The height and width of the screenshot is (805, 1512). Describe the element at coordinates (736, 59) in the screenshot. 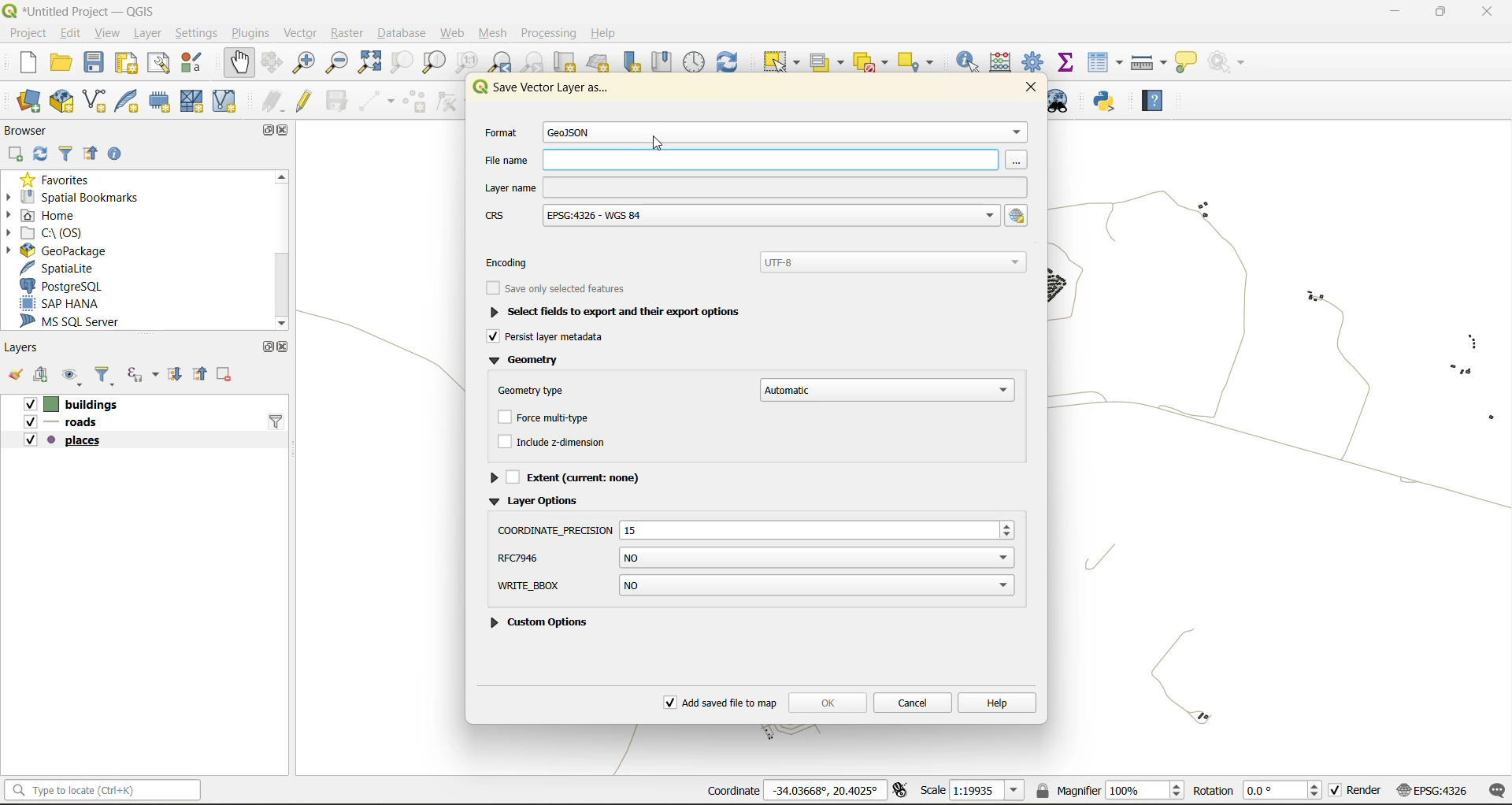

I see `refresh` at that location.